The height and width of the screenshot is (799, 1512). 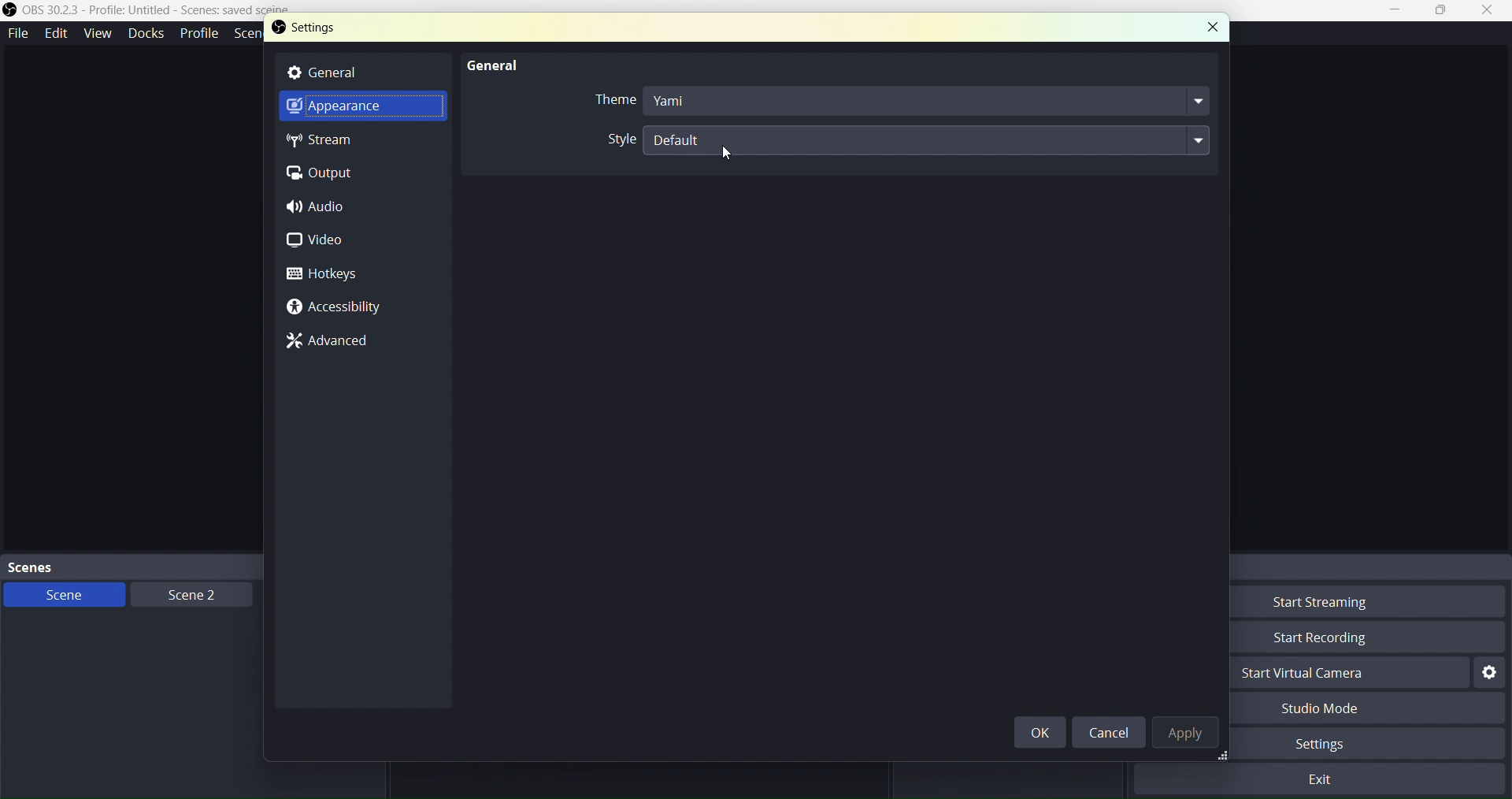 I want to click on SceneCollection, so click(x=250, y=35).